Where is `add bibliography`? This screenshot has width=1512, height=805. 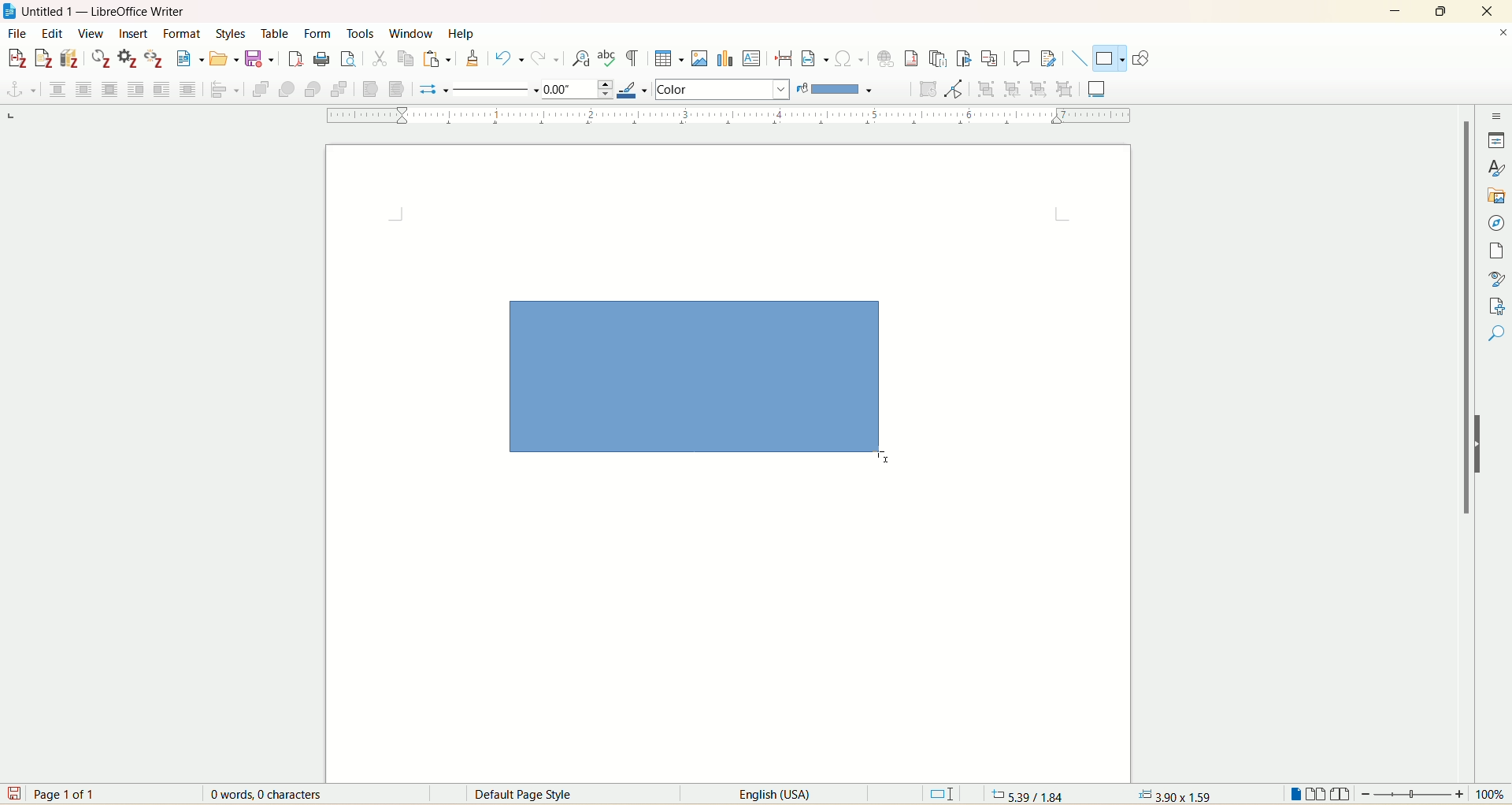 add bibliography is located at coordinates (71, 58).